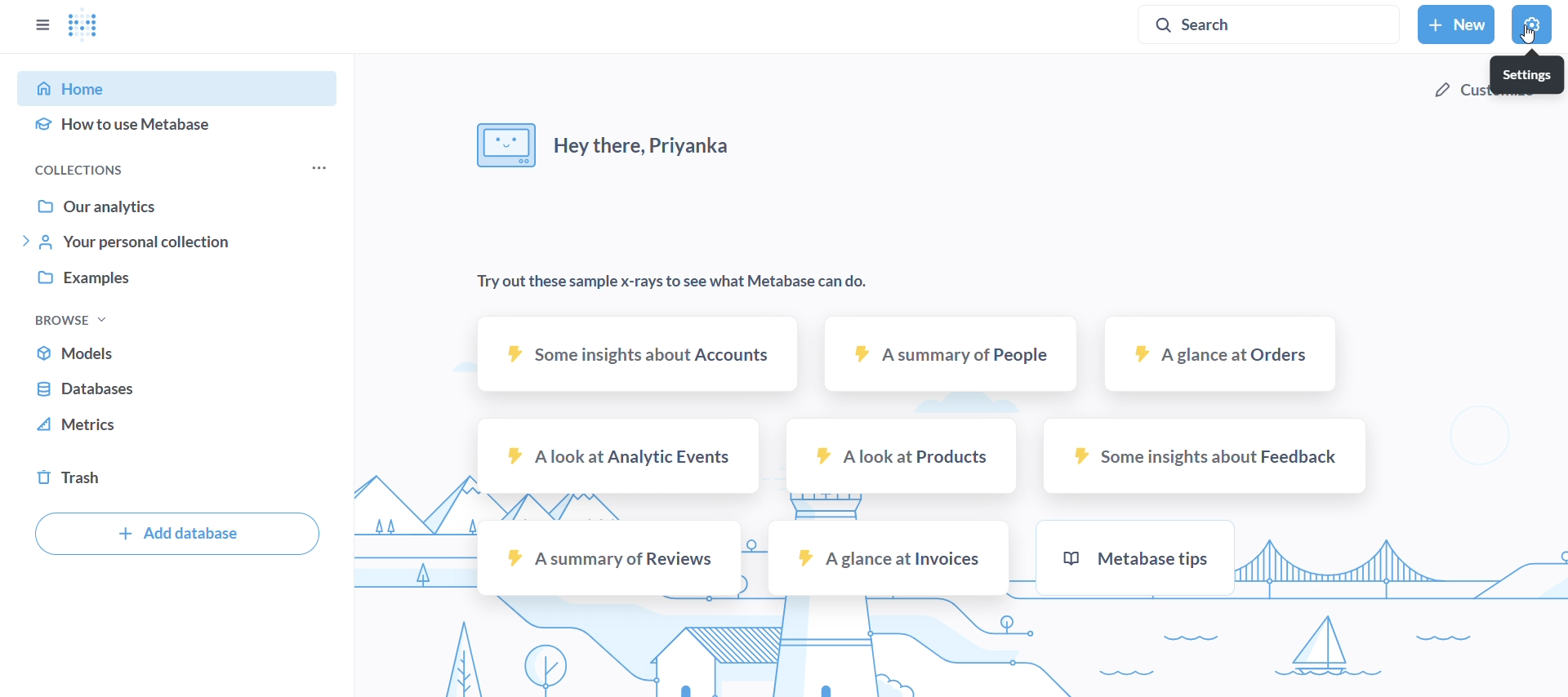 This screenshot has width=1568, height=697. Describe the element at coordinates (173, 536) in the screenshot. I see `add database` at that location.